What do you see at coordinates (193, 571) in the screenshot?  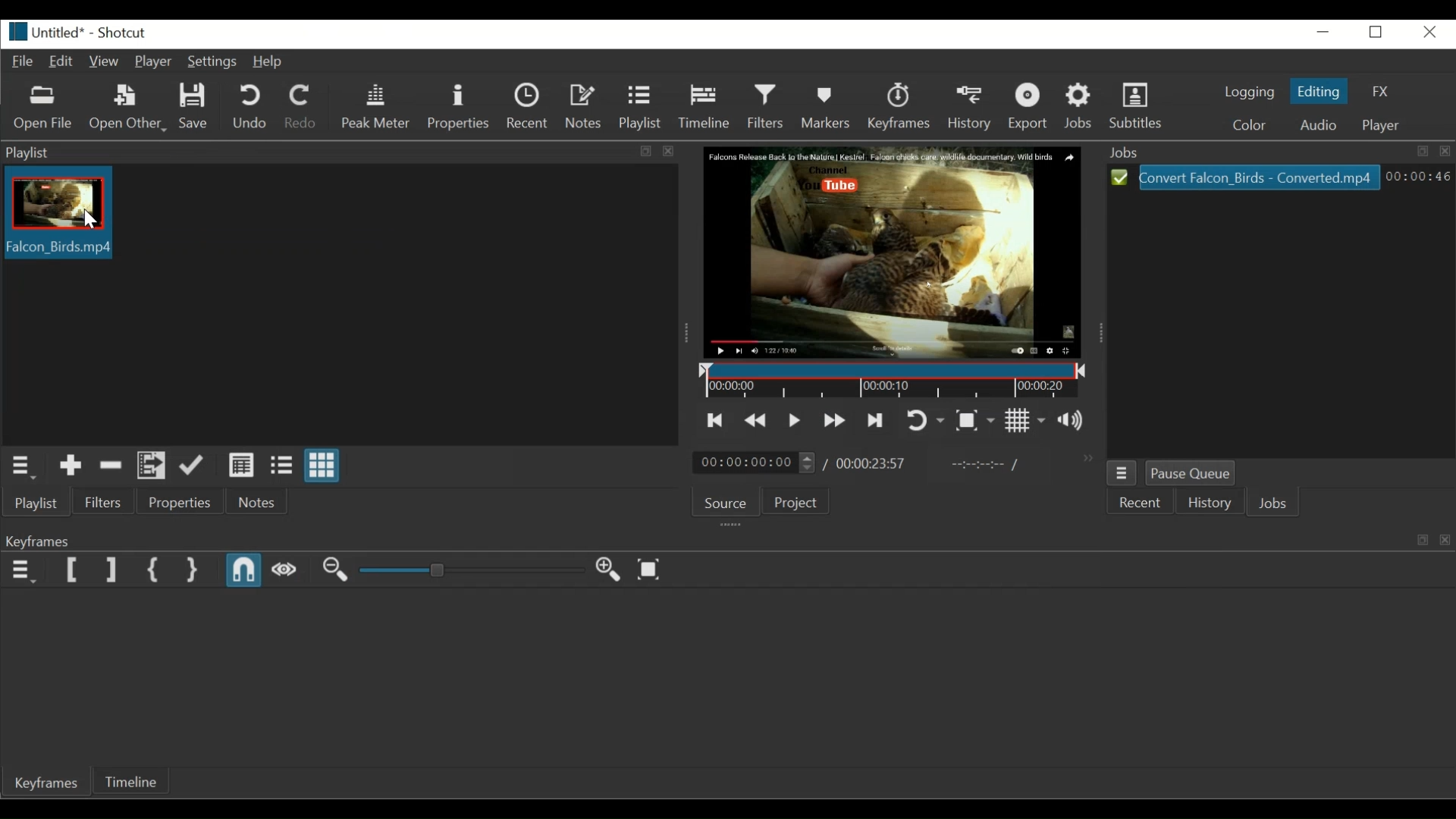 I see `Set Second Simple Keyframe` at bounding box center [193, 571].